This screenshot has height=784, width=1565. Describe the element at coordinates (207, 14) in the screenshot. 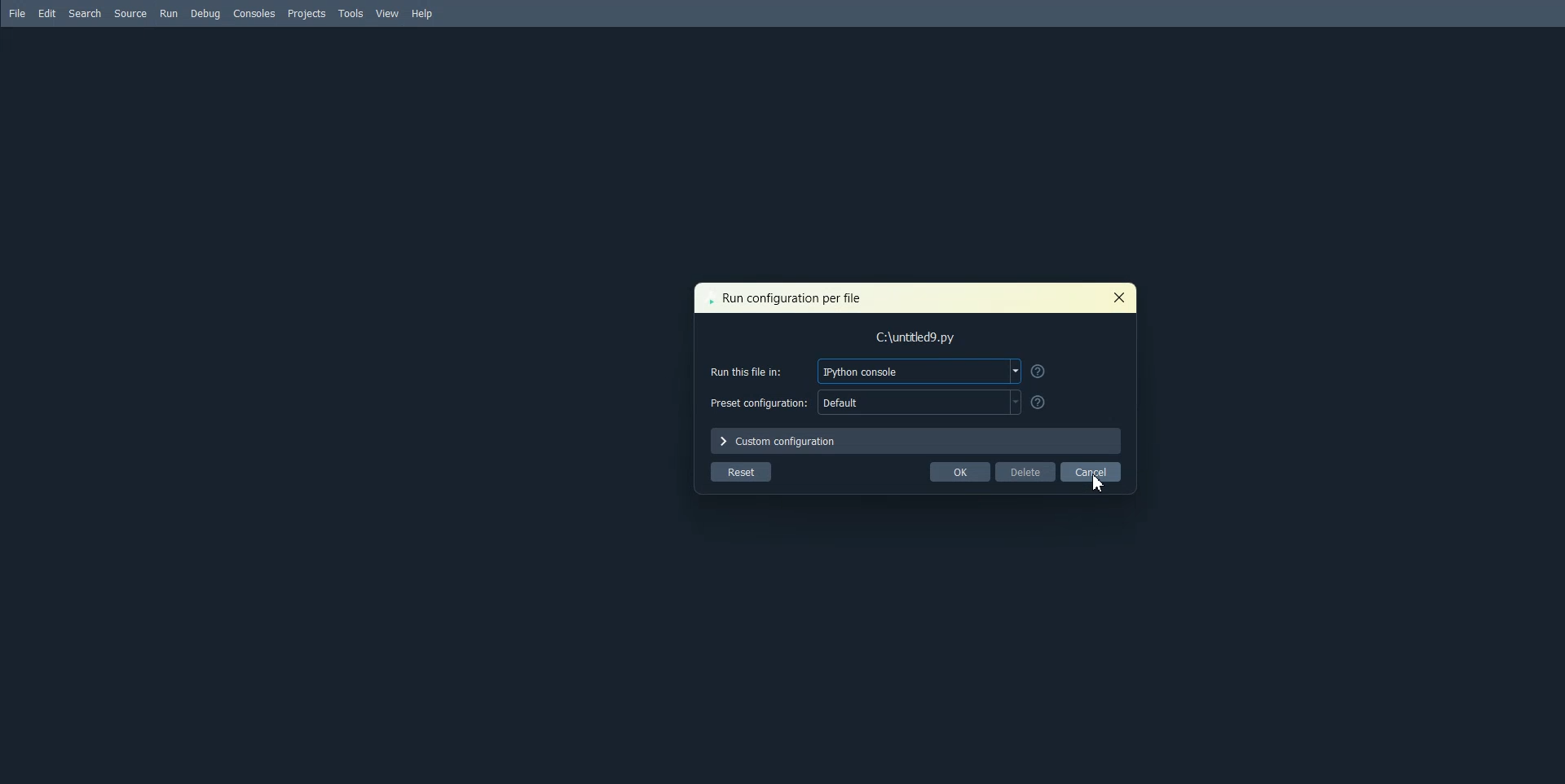

I see `Debug` at that location.